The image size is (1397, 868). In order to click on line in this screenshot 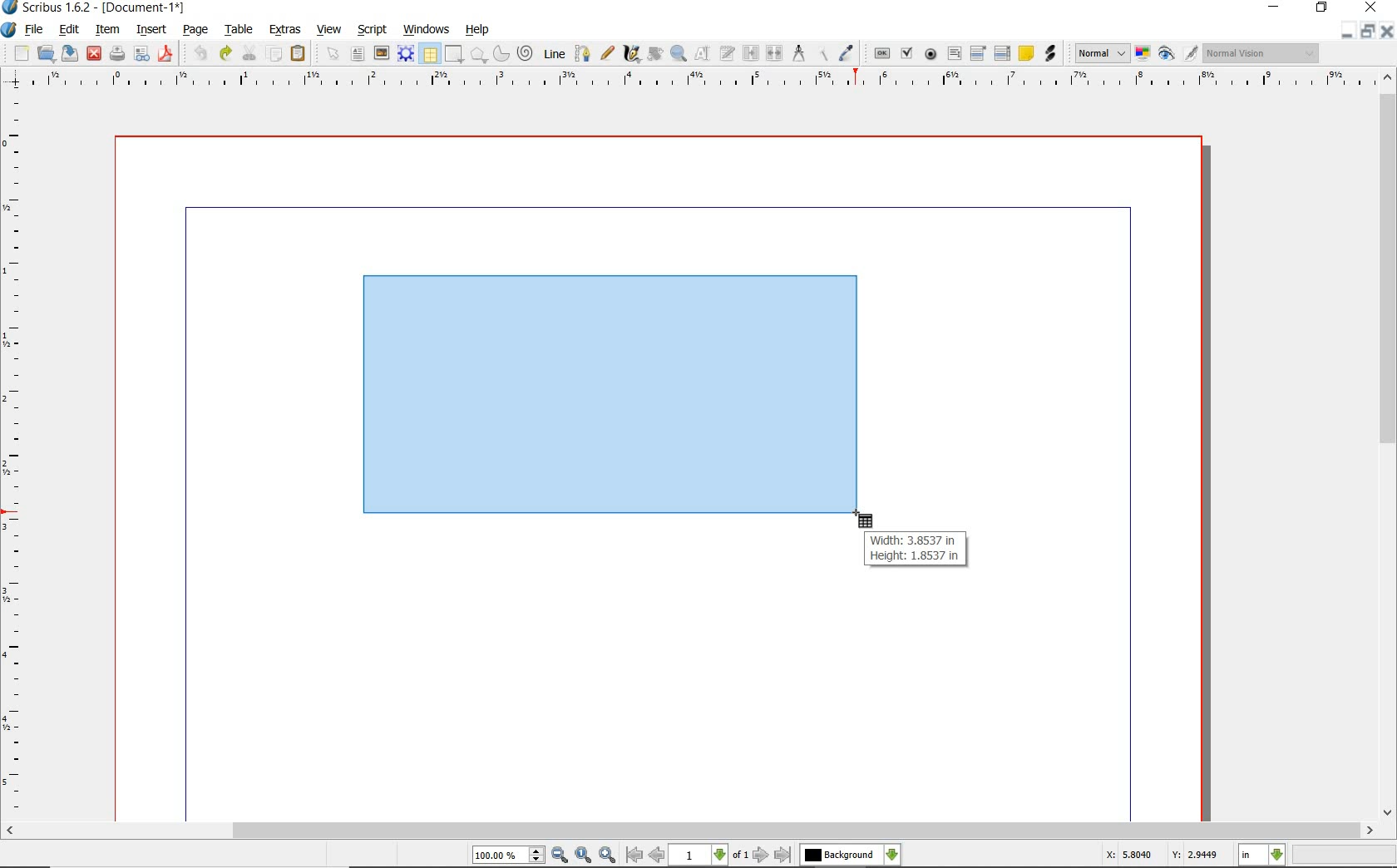, I will do `click(555, 52)`.